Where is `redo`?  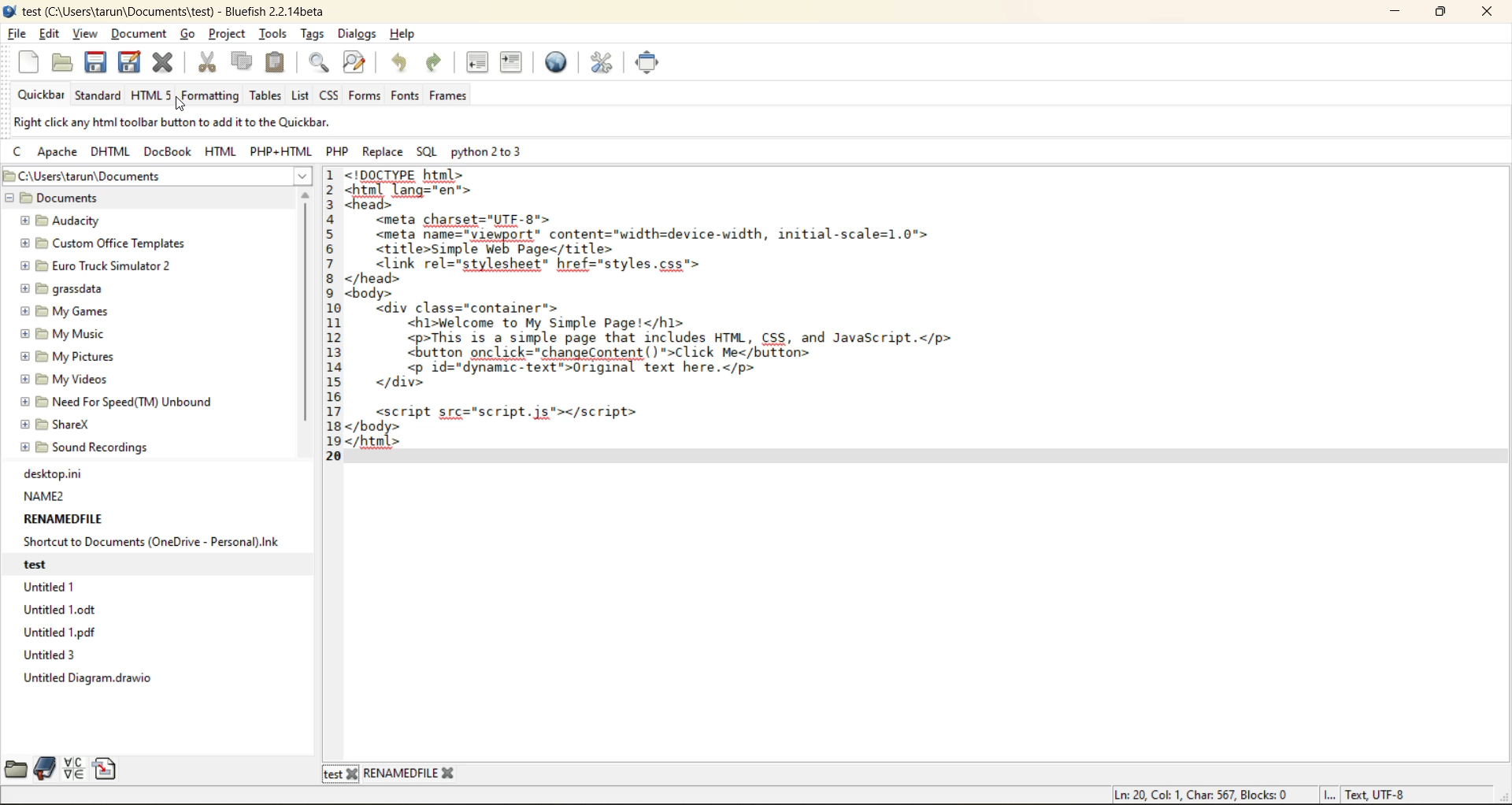 redo is located at coordinates (433, 62).